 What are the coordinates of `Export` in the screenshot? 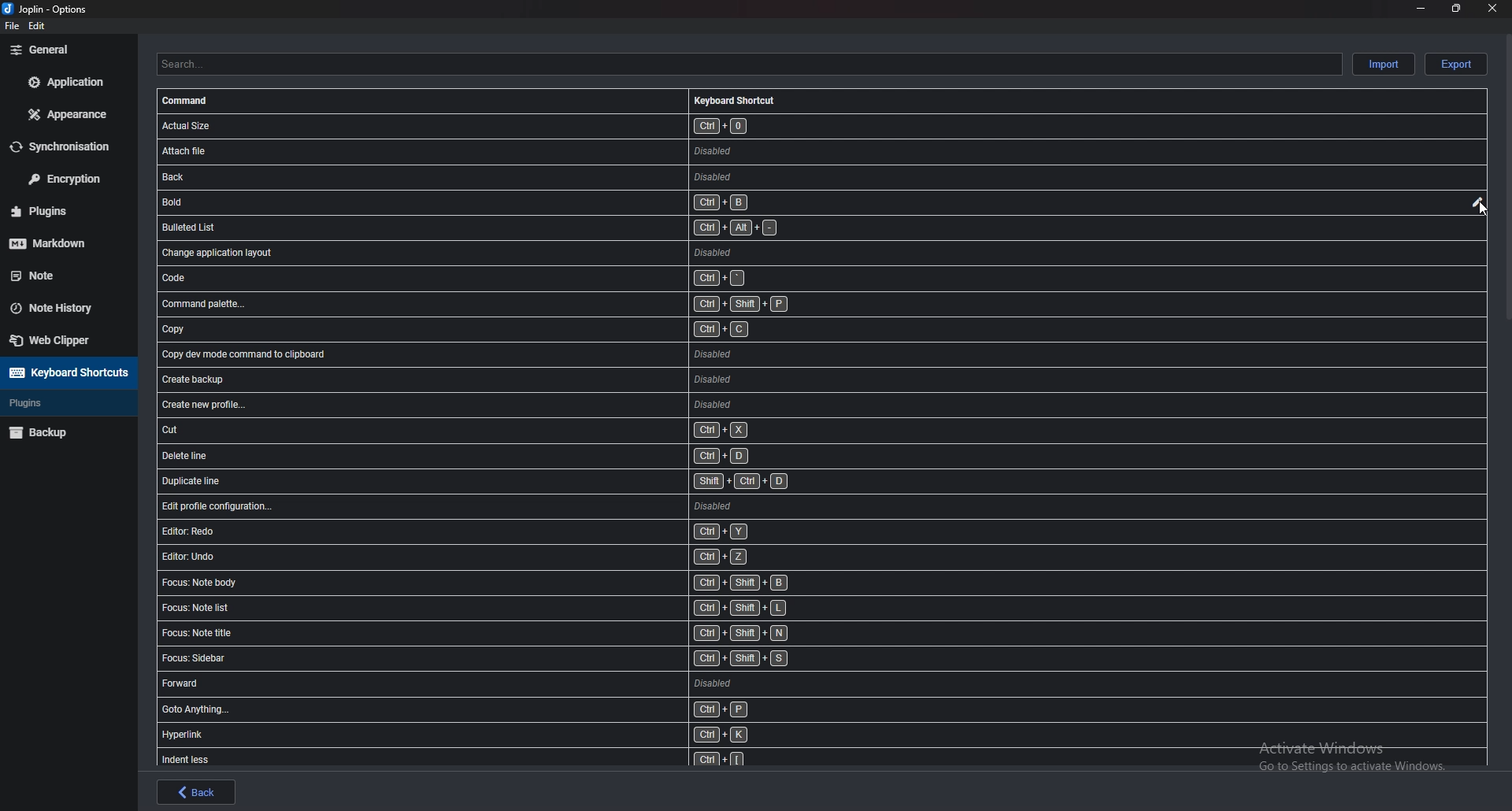 It's located at (1458, 65).